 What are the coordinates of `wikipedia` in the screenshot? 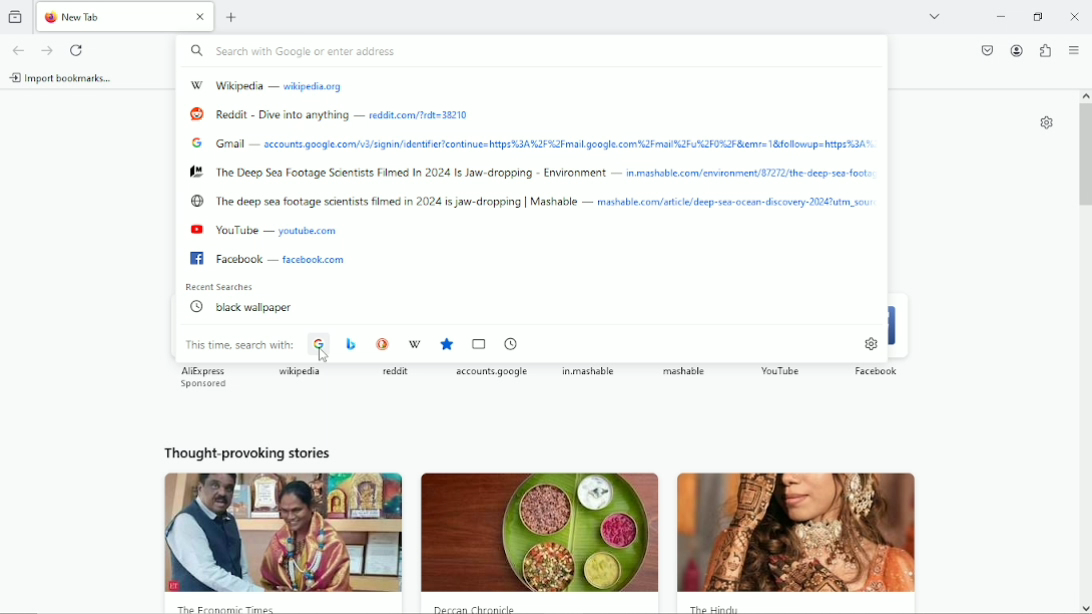 It's located at (415, 346).